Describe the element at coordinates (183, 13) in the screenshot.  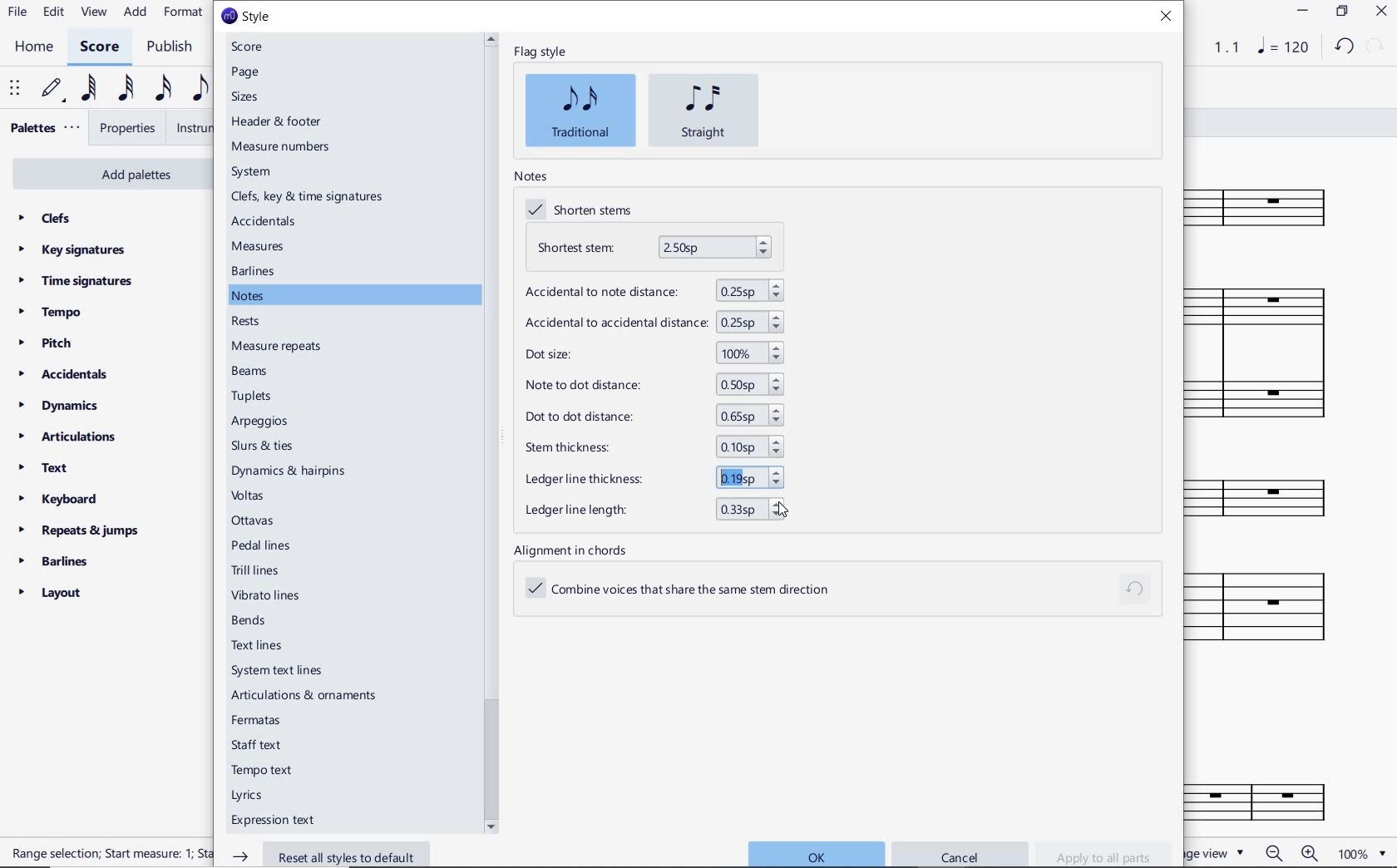
I see `format` at that location.